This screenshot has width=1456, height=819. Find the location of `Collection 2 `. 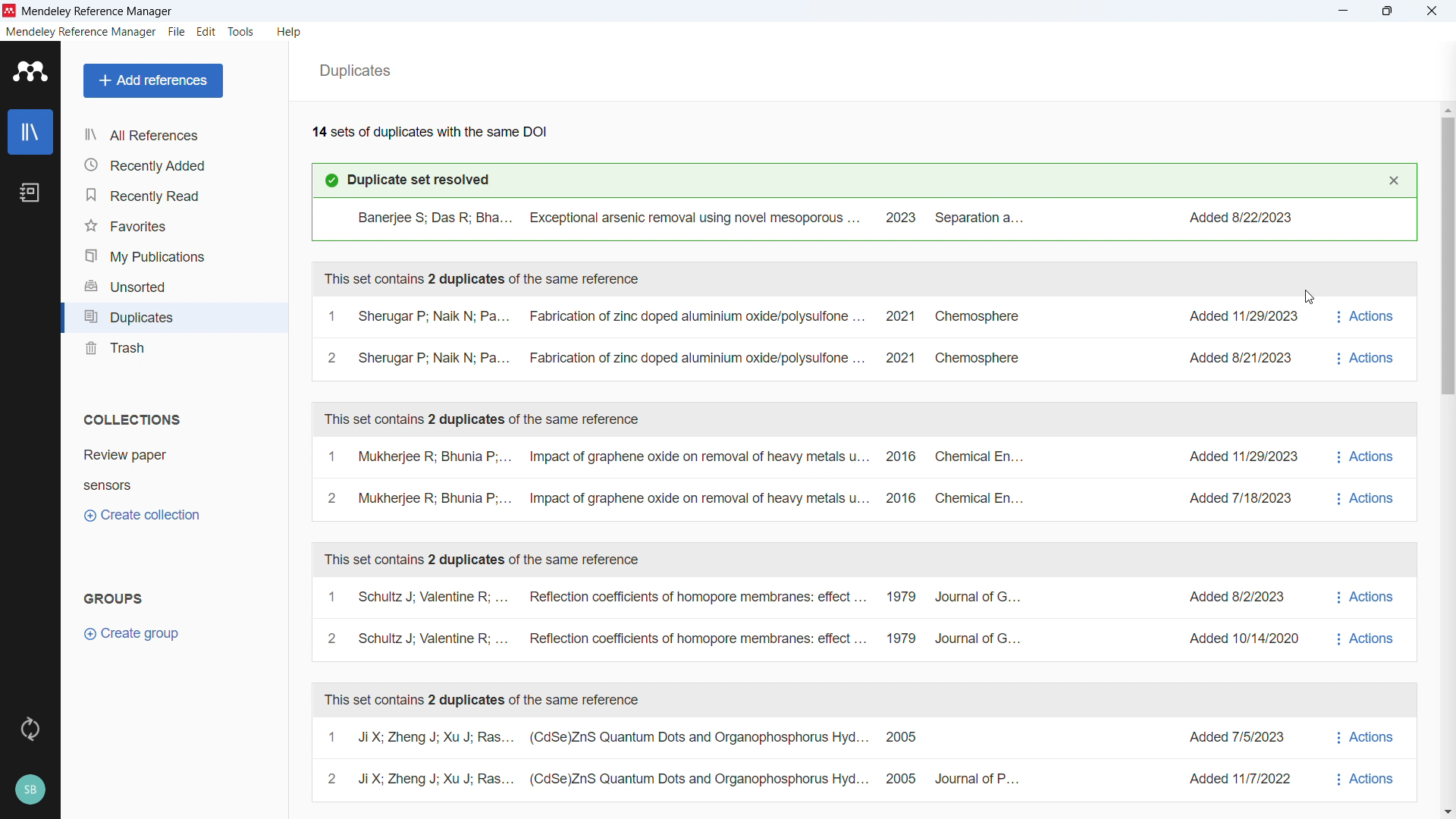

Collection 2  is located at coordinates (168, 485).